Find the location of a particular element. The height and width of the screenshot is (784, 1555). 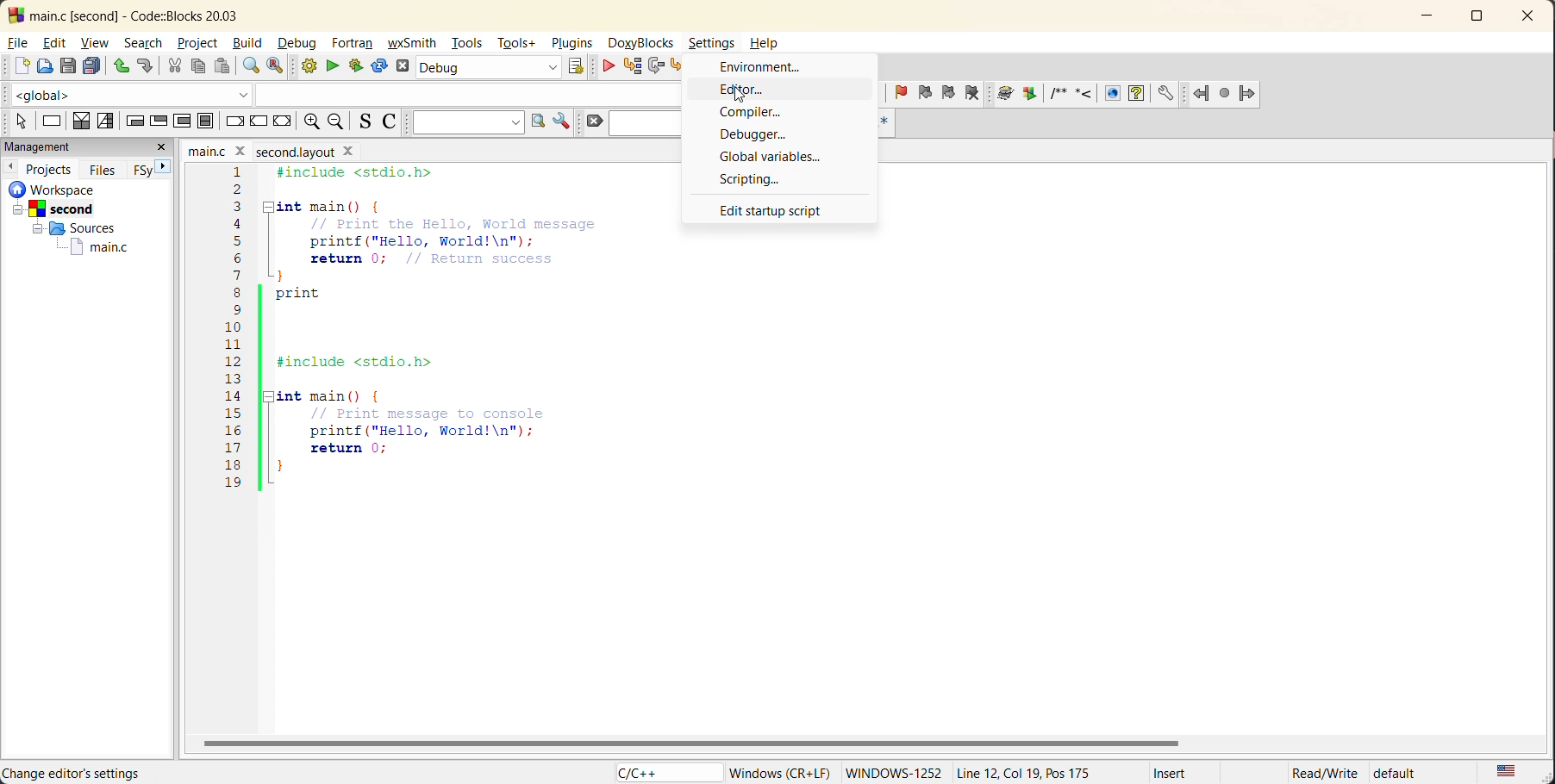

windows (CR+LF) is located at coordinates (781, 772).